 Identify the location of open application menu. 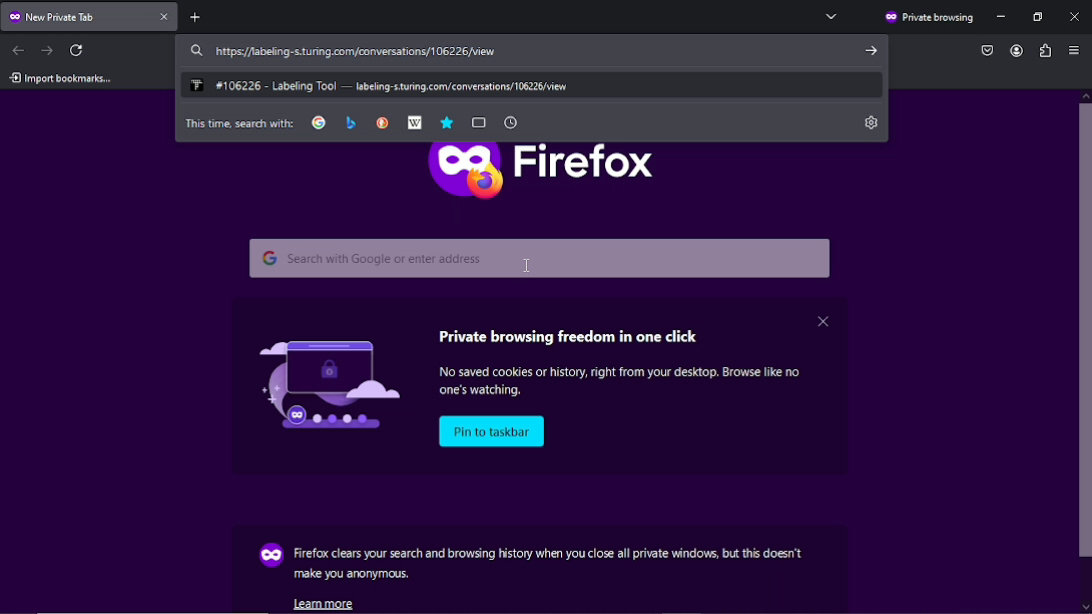
(1074, 52).